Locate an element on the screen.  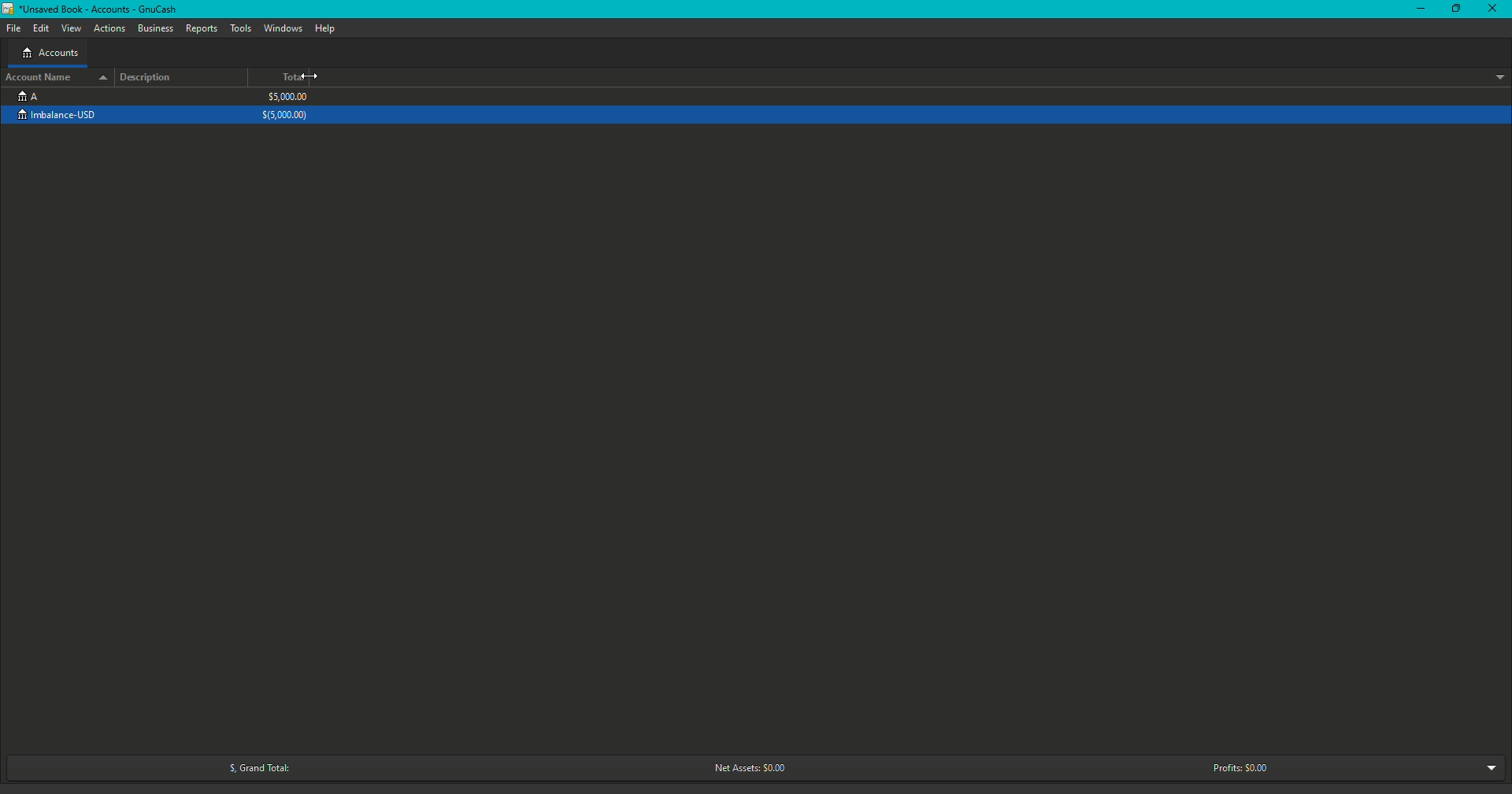
Actions is located at coordinates (110, 29).